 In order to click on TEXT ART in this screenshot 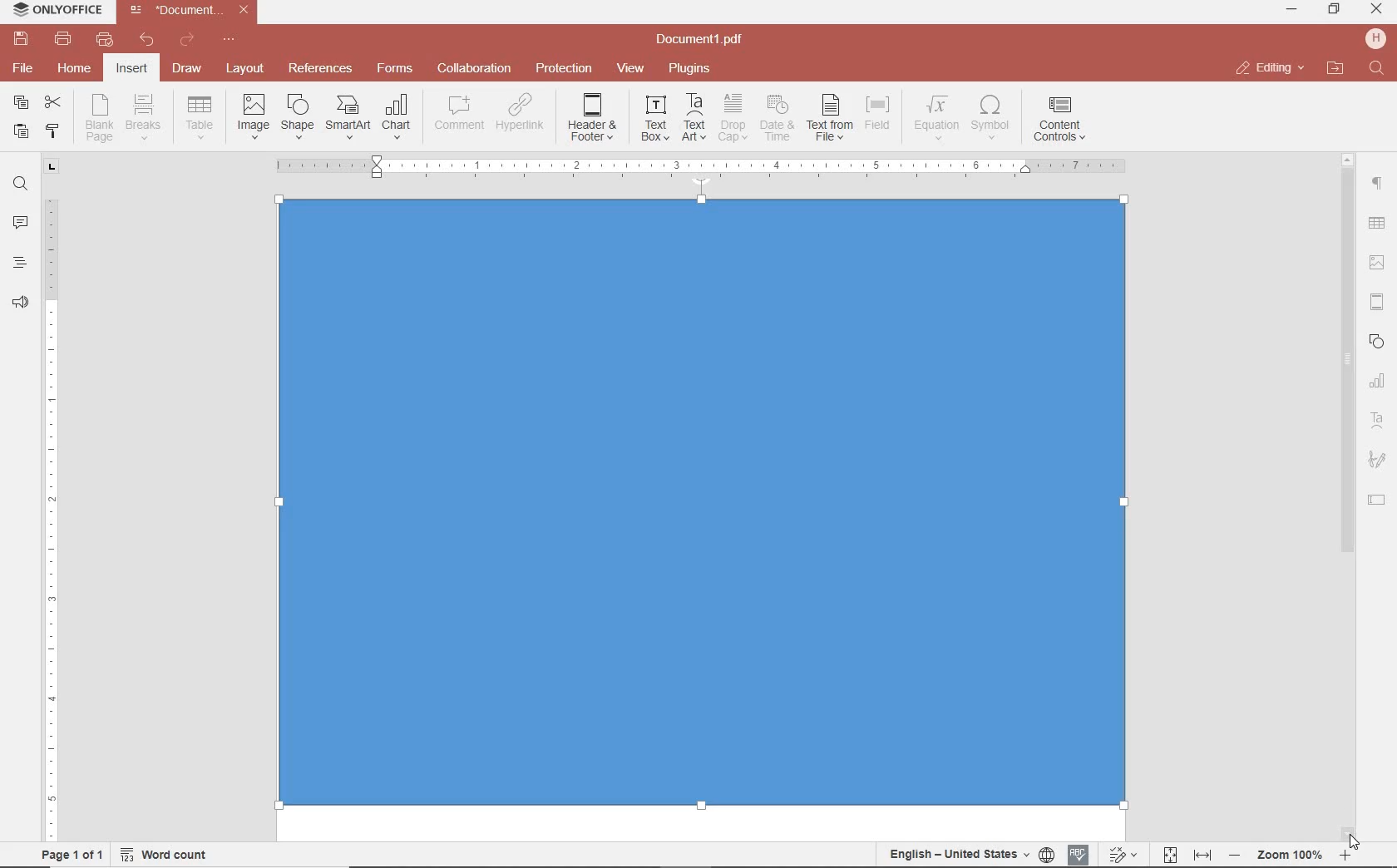, I will do `click(1378, 422)`.